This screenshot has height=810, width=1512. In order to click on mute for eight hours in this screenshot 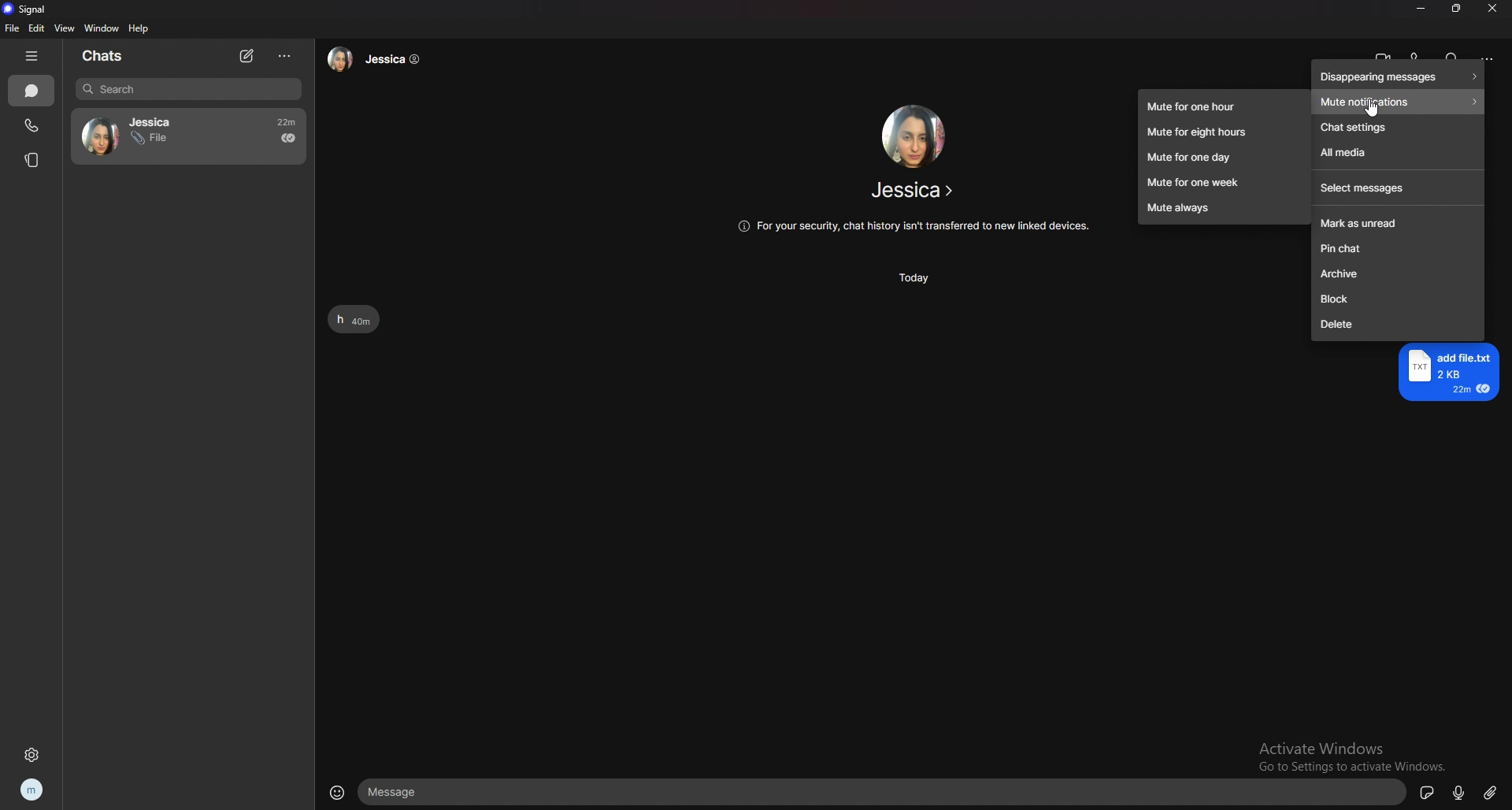, I will do `click(1222, 131)`.